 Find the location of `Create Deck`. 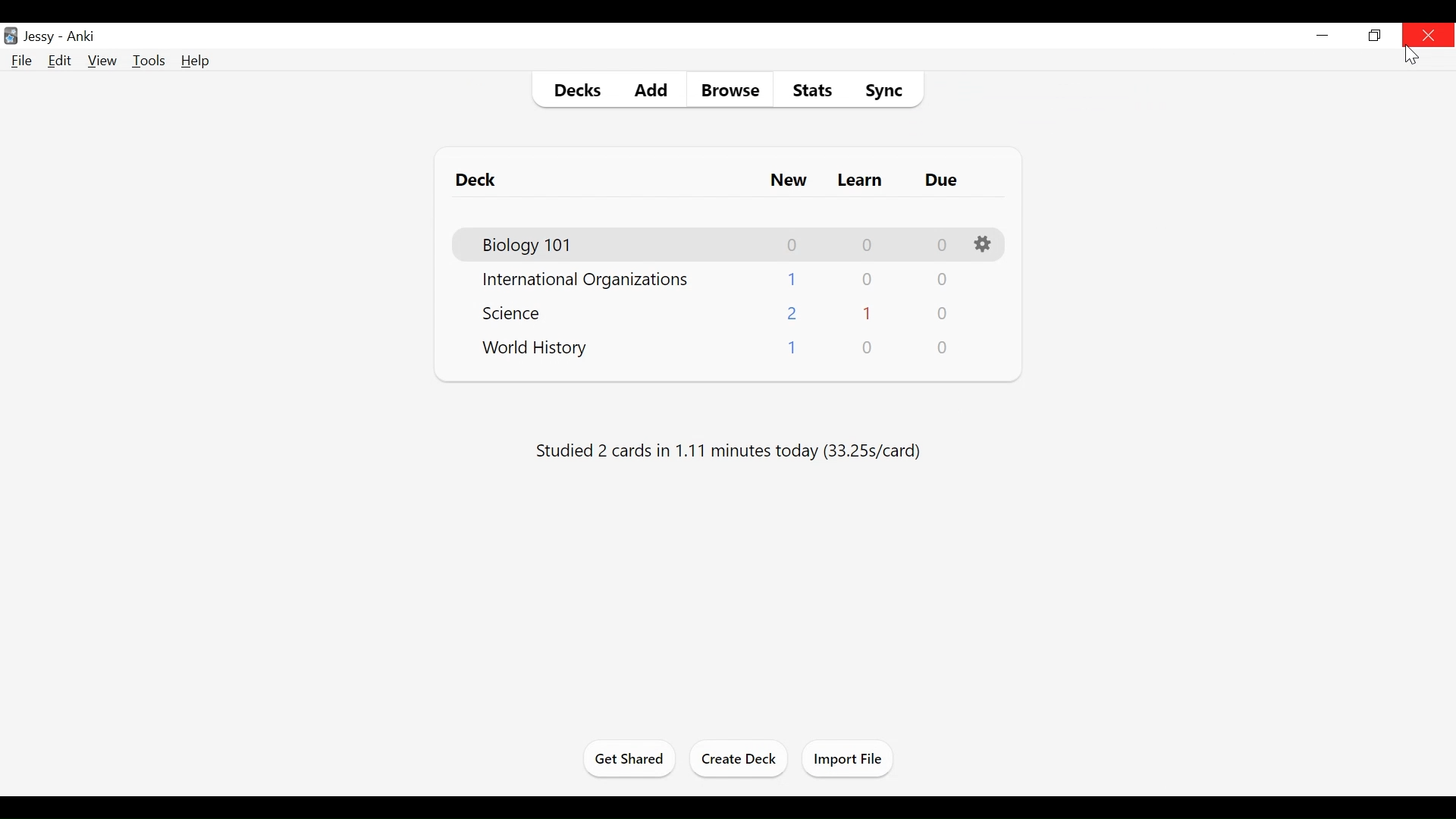

Create Deck is located at coordinates (742, 758).